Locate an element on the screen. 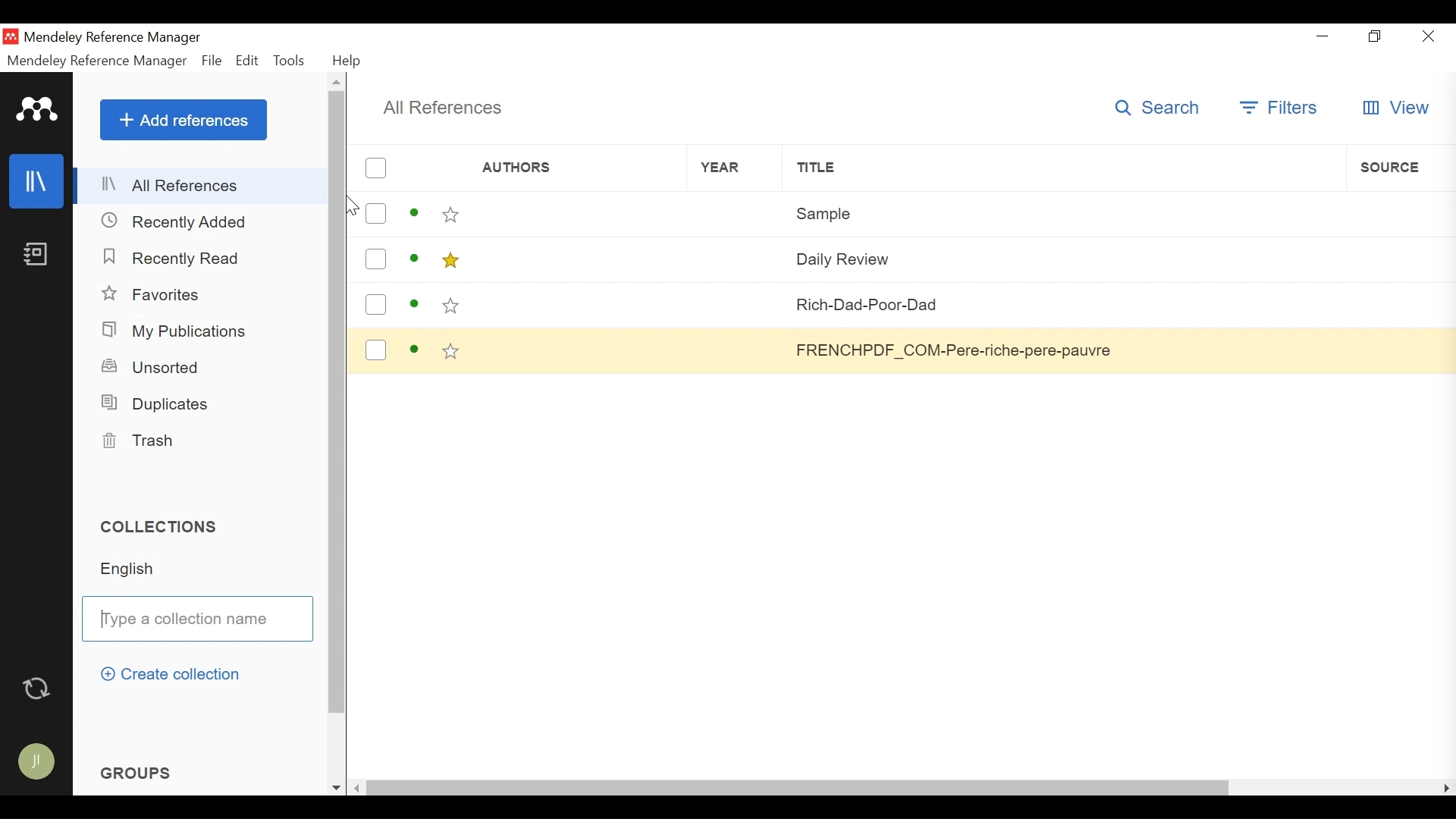  Scroll down is located at coordinates (336, 788).